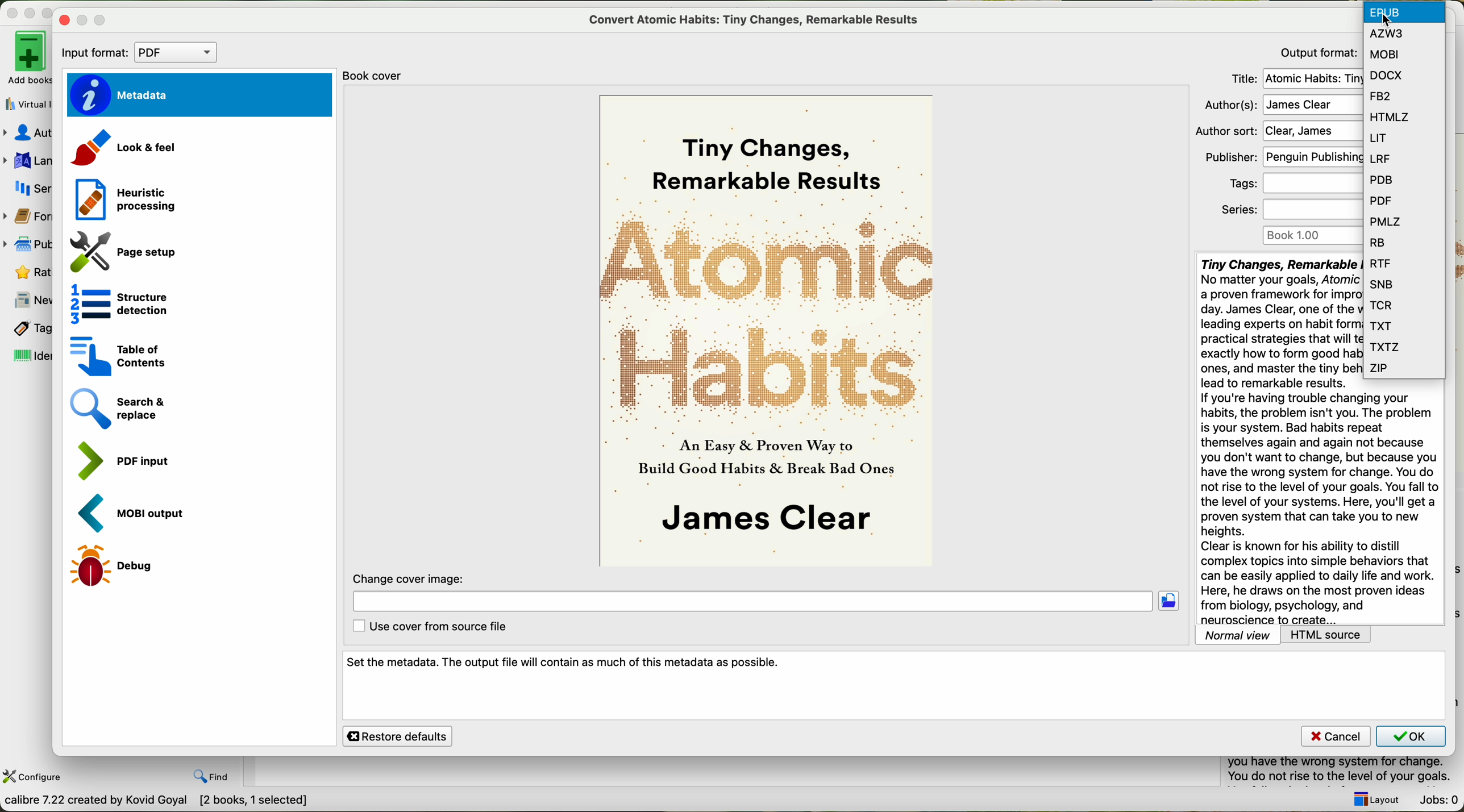 This screenshot has width=1464, height=812. I want to click on author(s), so click(1284, 105).